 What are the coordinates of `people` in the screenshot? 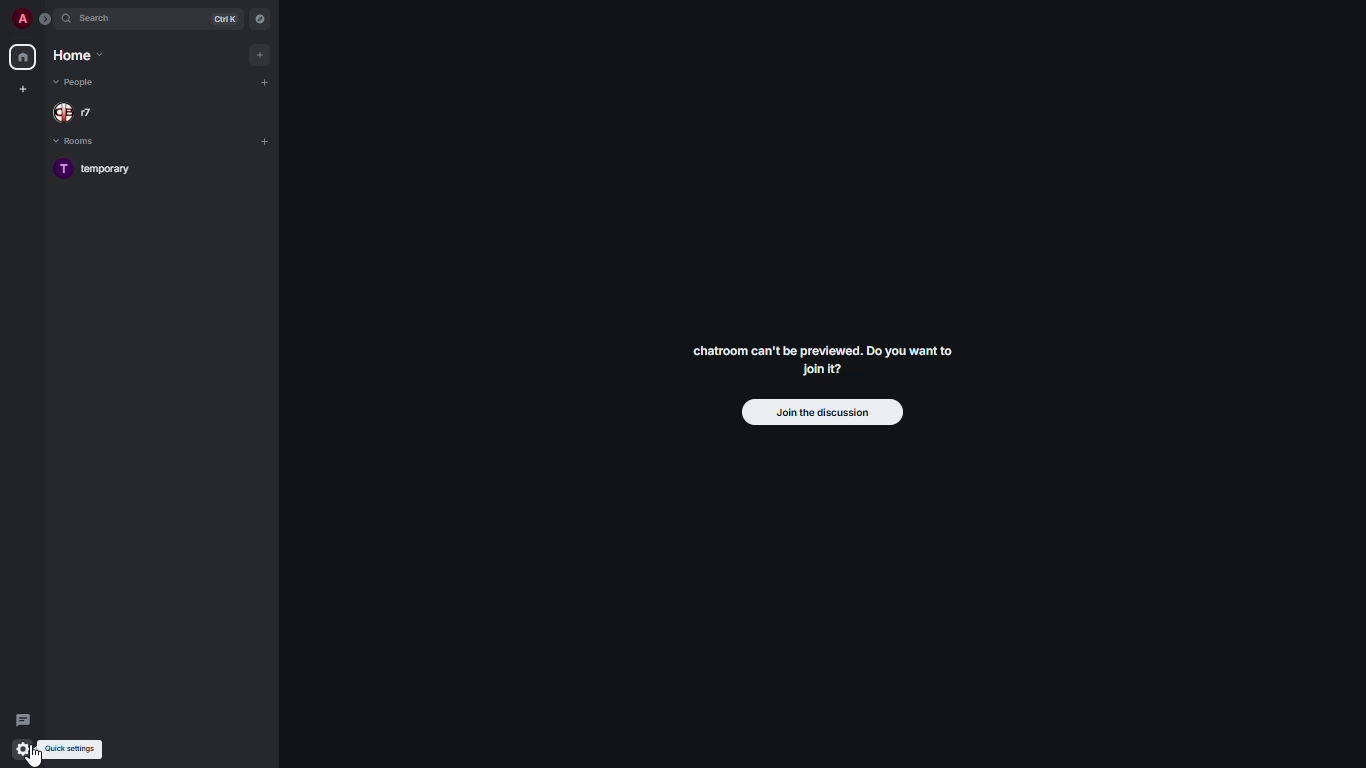 It's located at (80, 83).